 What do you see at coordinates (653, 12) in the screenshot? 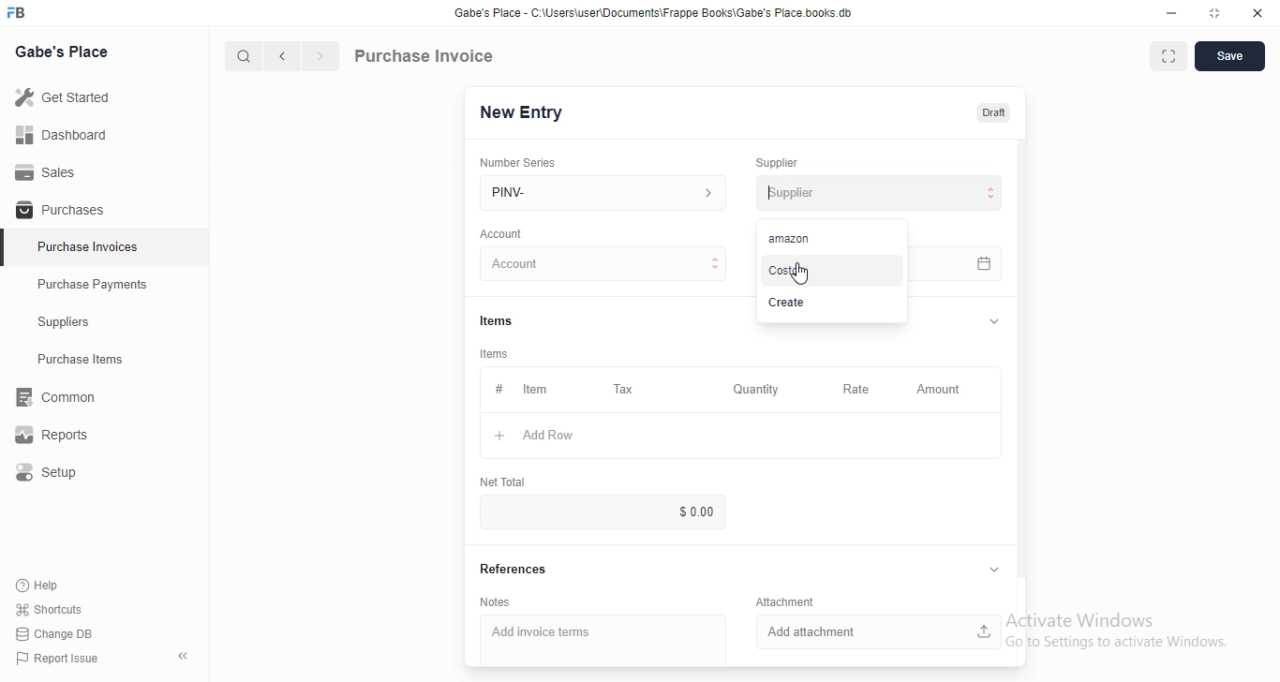
I see `‘Gabe's Place - C\Users\useriDocuments\Frappe Books\Gabe's Place books db.` at bounding box center [653, 12].